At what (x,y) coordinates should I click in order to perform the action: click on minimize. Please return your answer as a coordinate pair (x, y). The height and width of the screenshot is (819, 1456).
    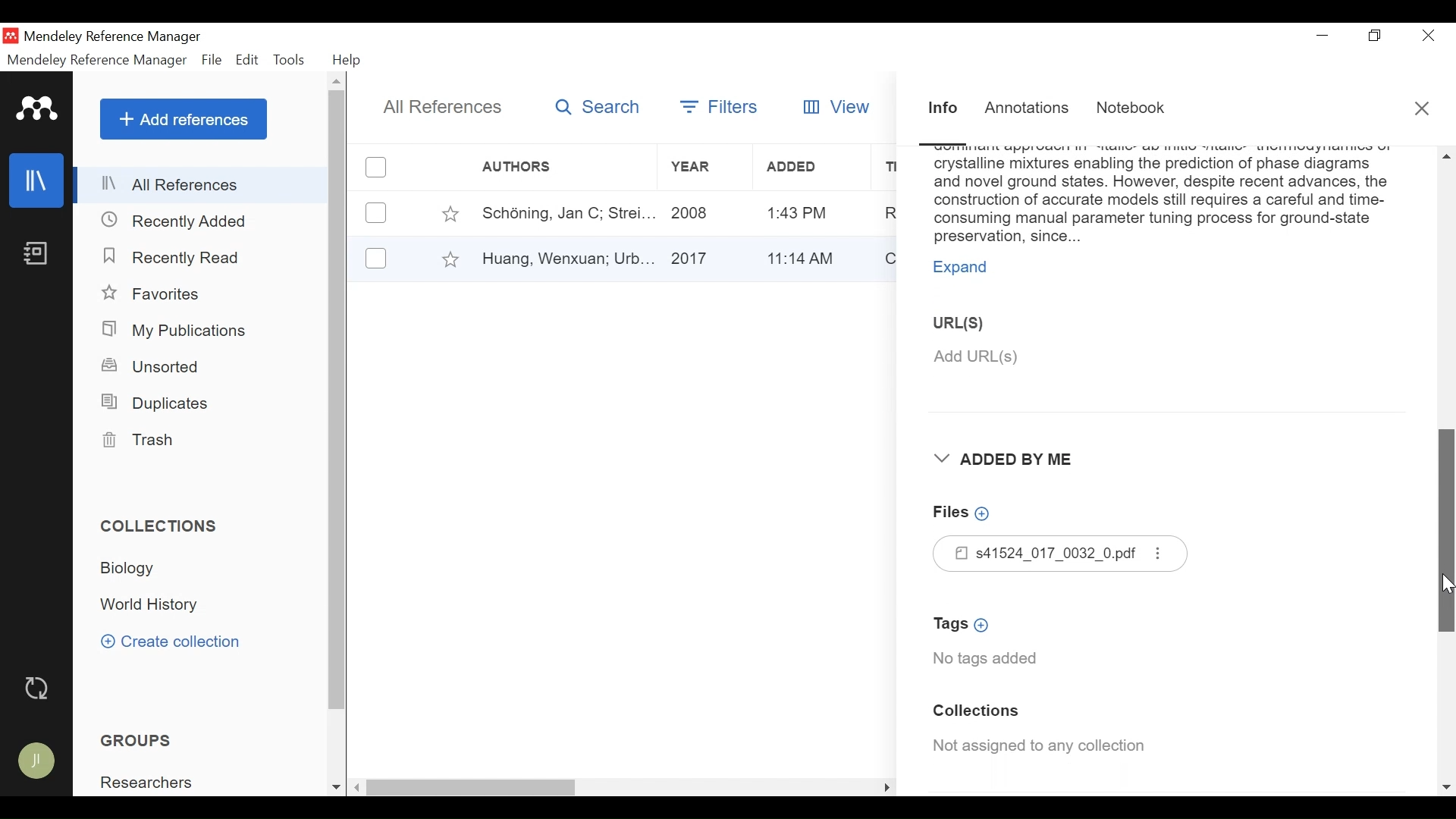
    Looking at the image, I should click on (1323, 36).